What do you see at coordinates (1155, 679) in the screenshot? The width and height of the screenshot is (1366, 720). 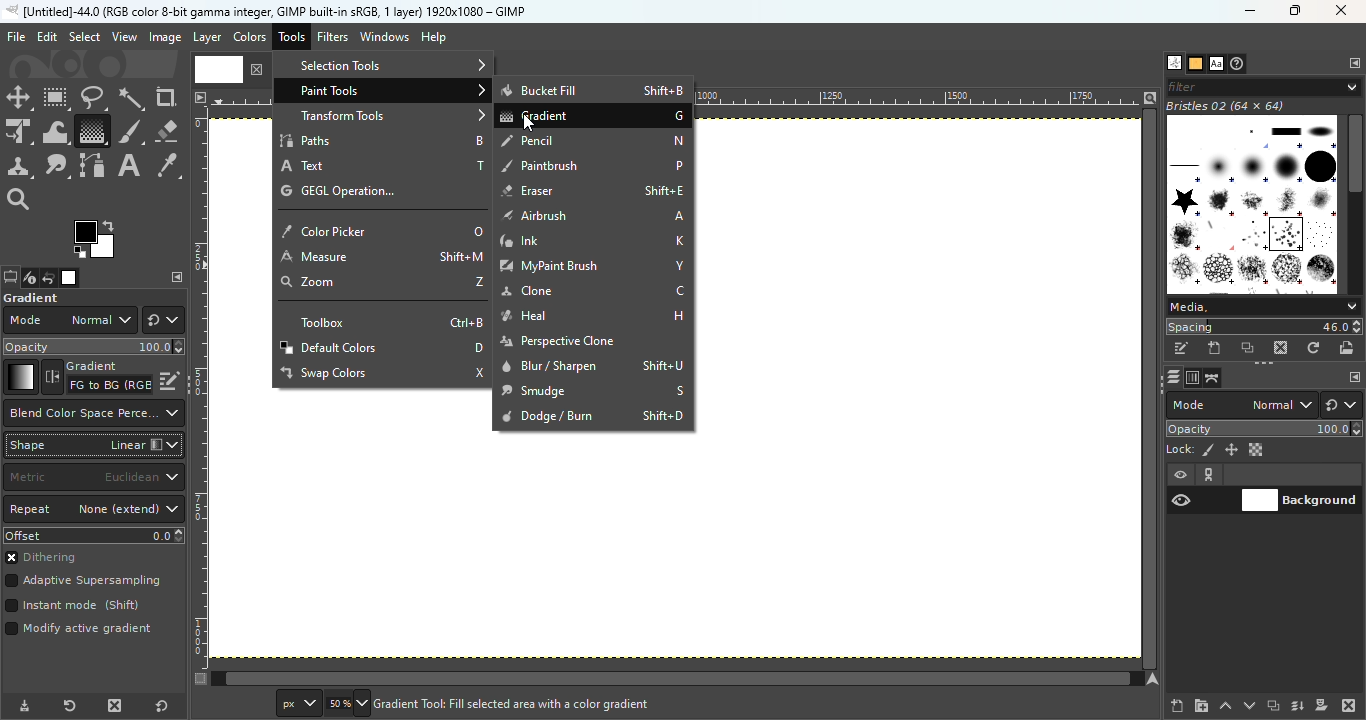 I see `Navigate` at bounding box center [1155, 679].